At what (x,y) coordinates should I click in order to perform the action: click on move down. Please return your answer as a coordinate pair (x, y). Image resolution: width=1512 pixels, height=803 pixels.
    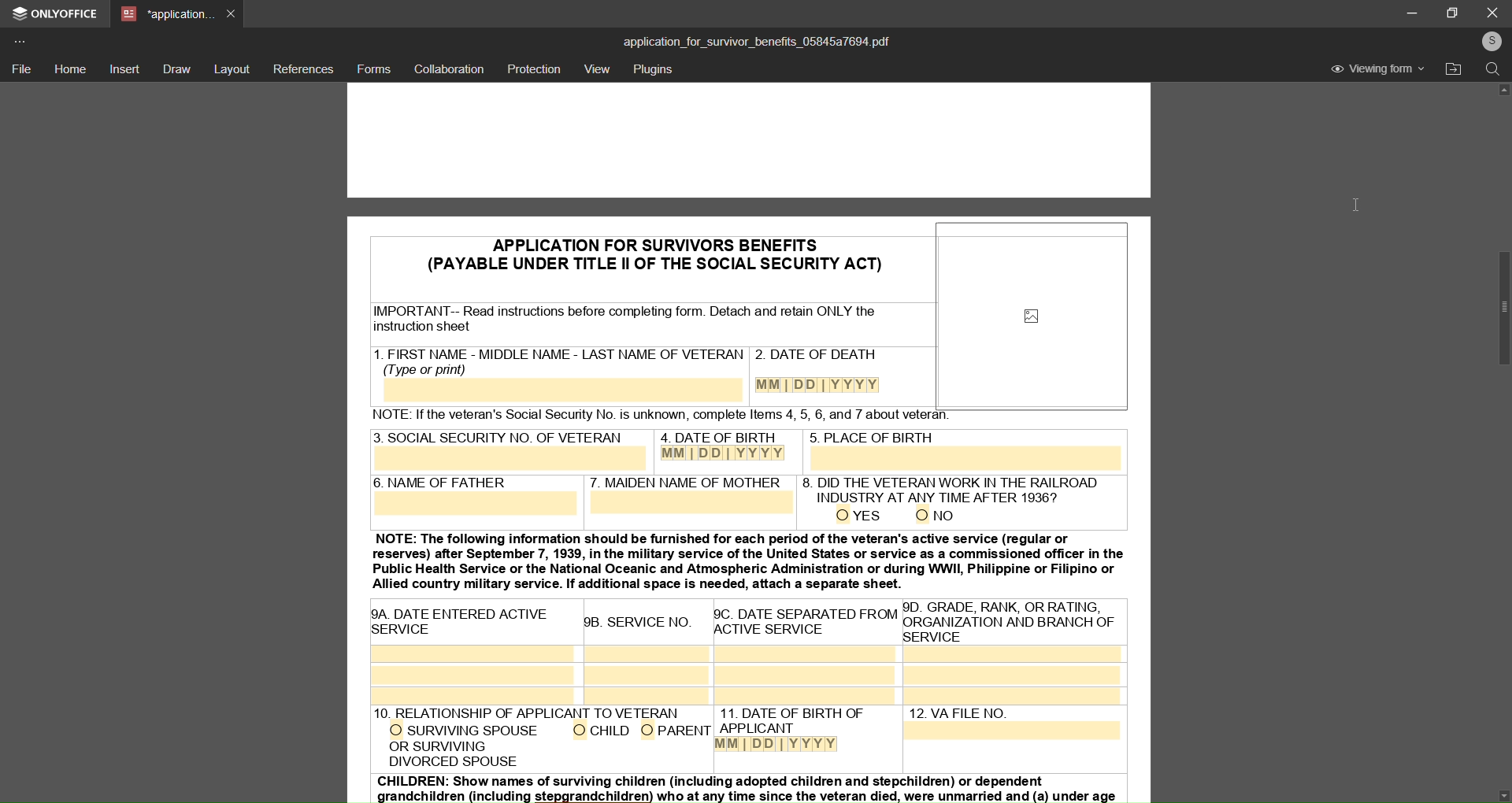
    Looking at the image, I should click on (1494, 790).